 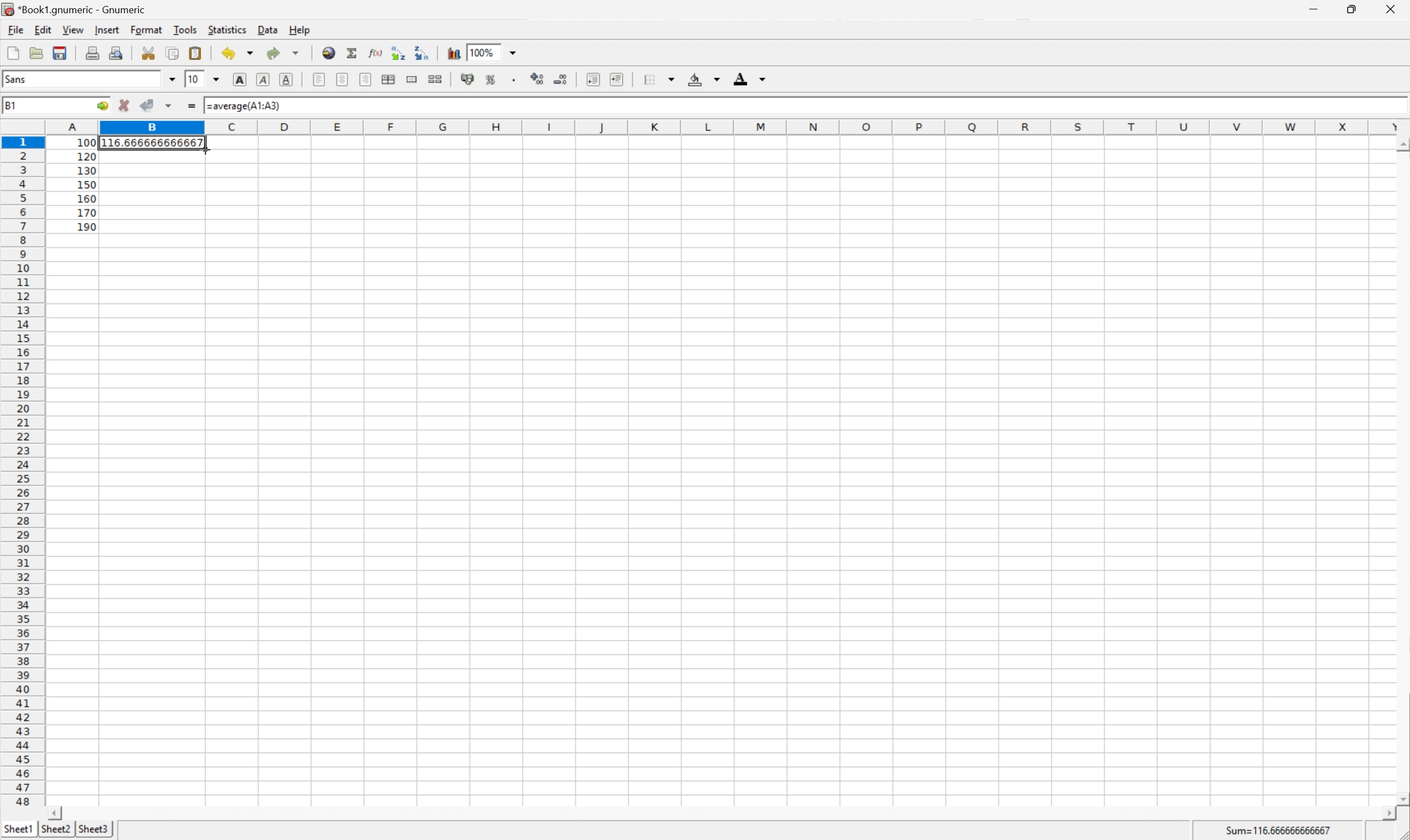 I want to click on Italic, so click(x=262, y=80).